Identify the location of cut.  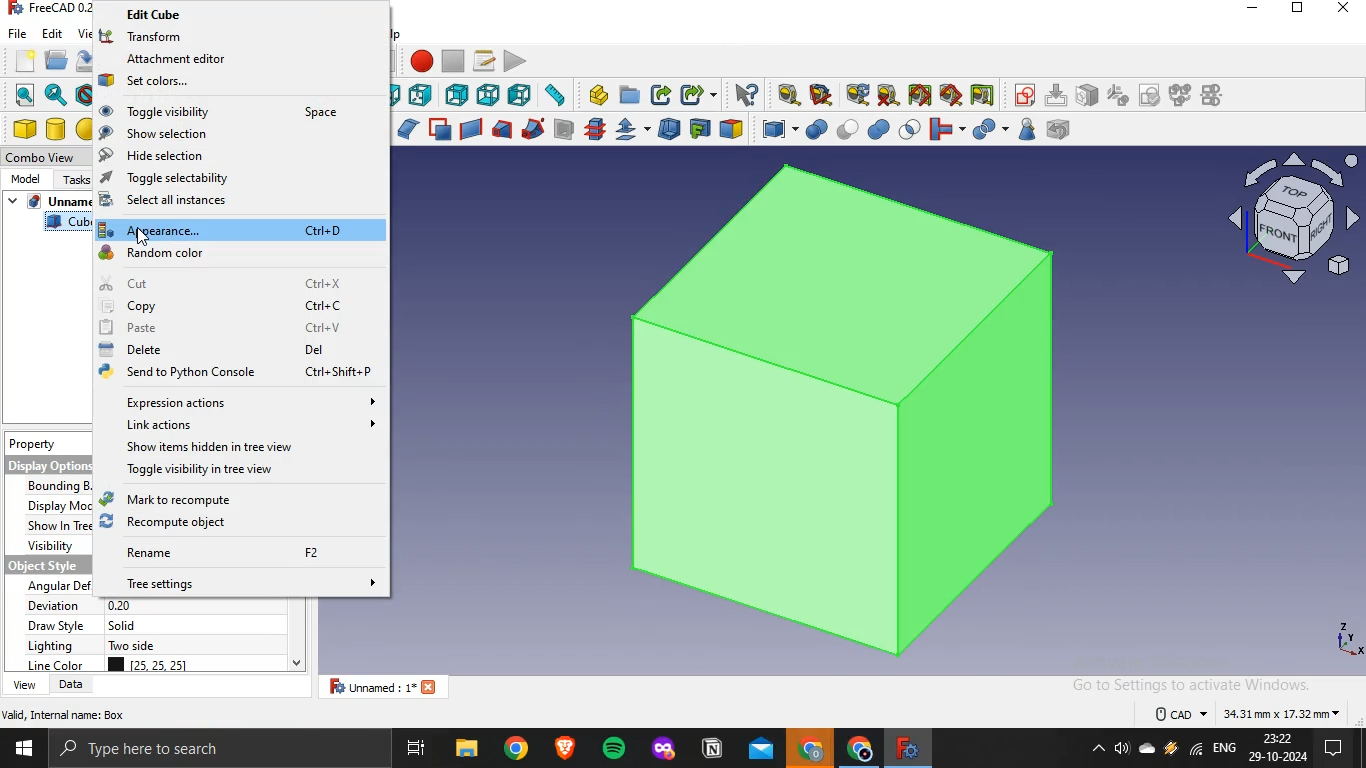
(231, 283).